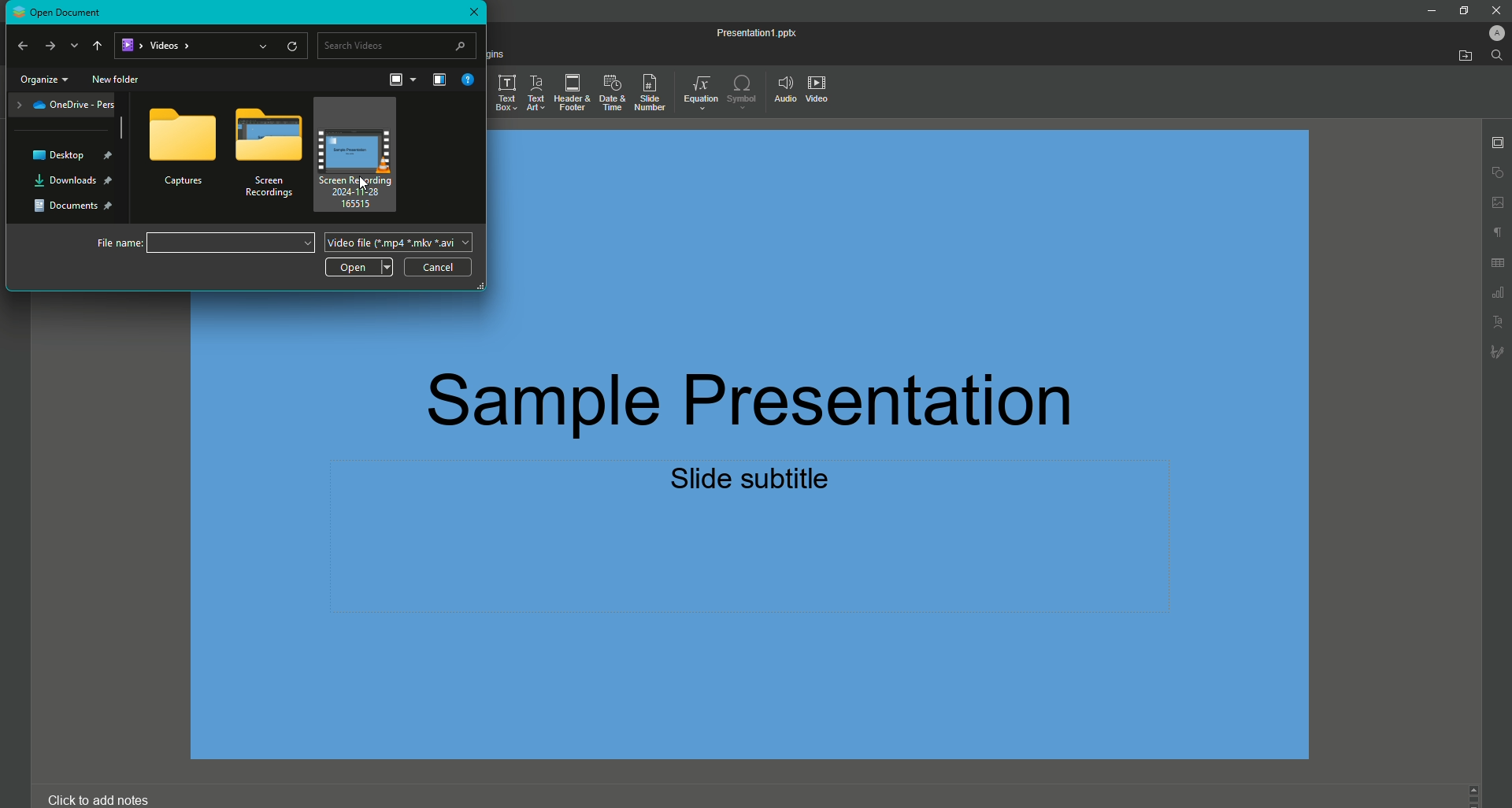  What do you see at coordinates (76, 206) in the screenshot?
I see `Documents` at bounding box center [76, 206].